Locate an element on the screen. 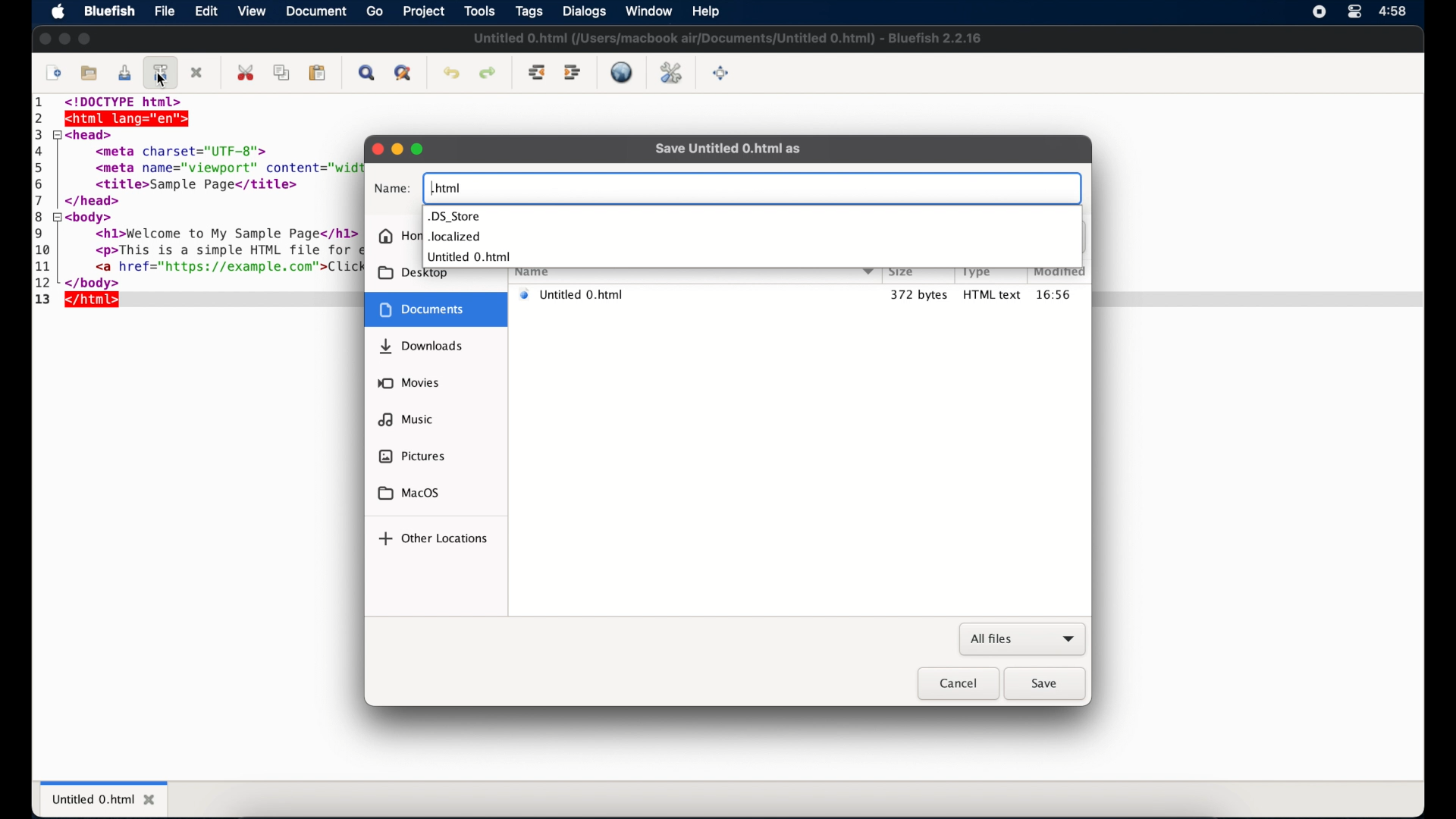 This screenshot has height=819, width=1456. maximize is located at coordinates (86, 39).